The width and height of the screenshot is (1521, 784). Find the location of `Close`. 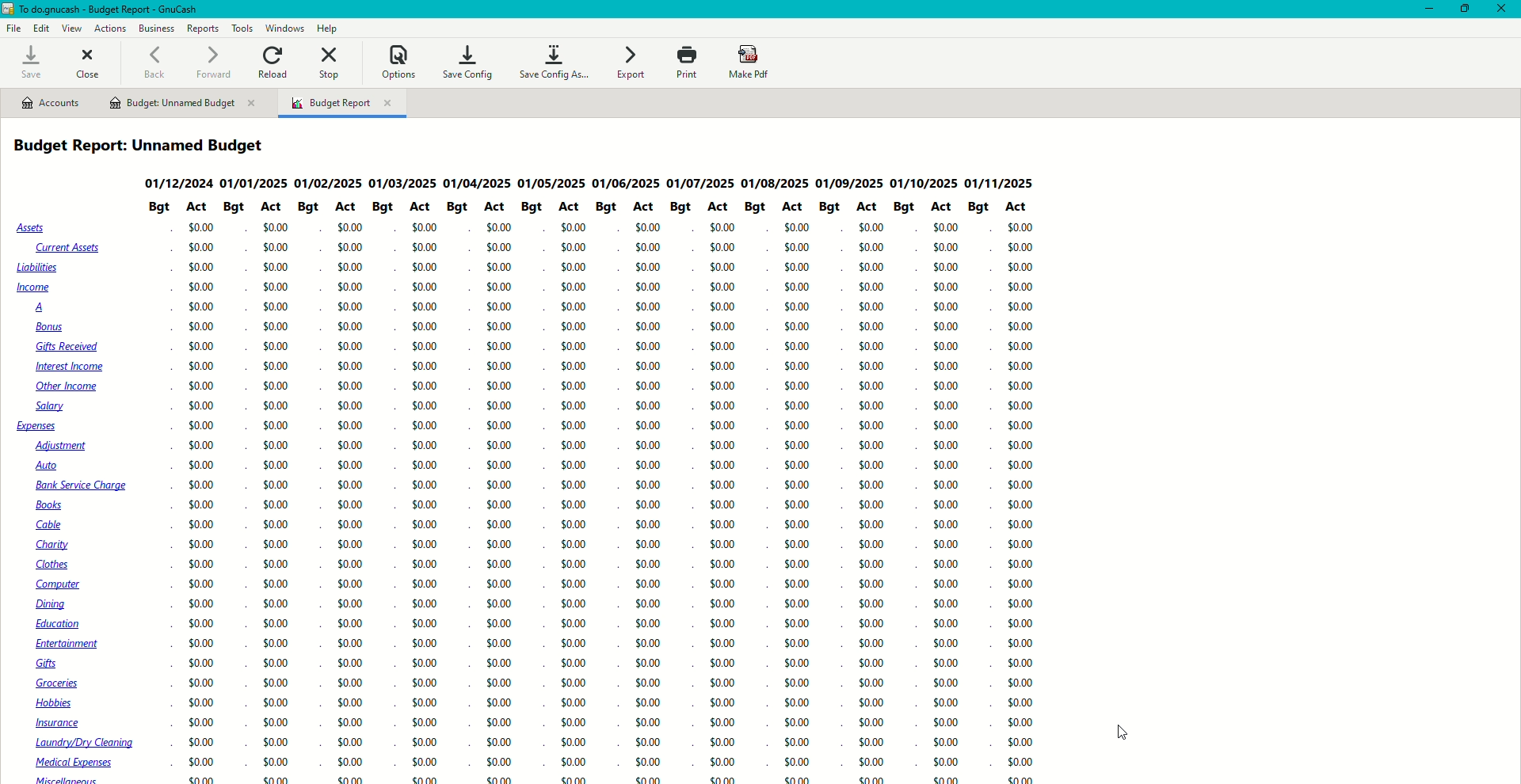

Close is located at coordinates (90, 61).